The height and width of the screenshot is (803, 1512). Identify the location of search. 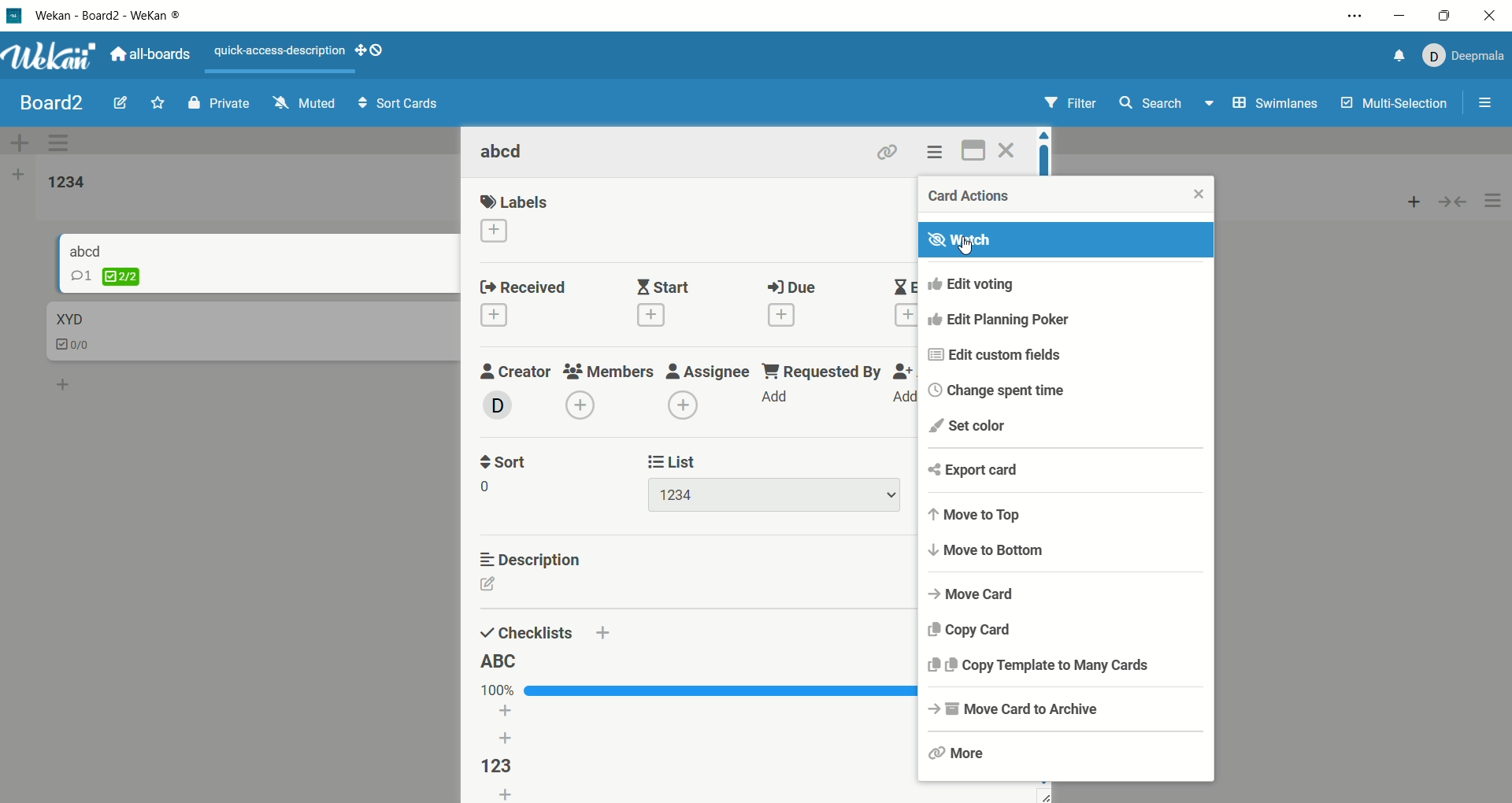
(1165, 107).